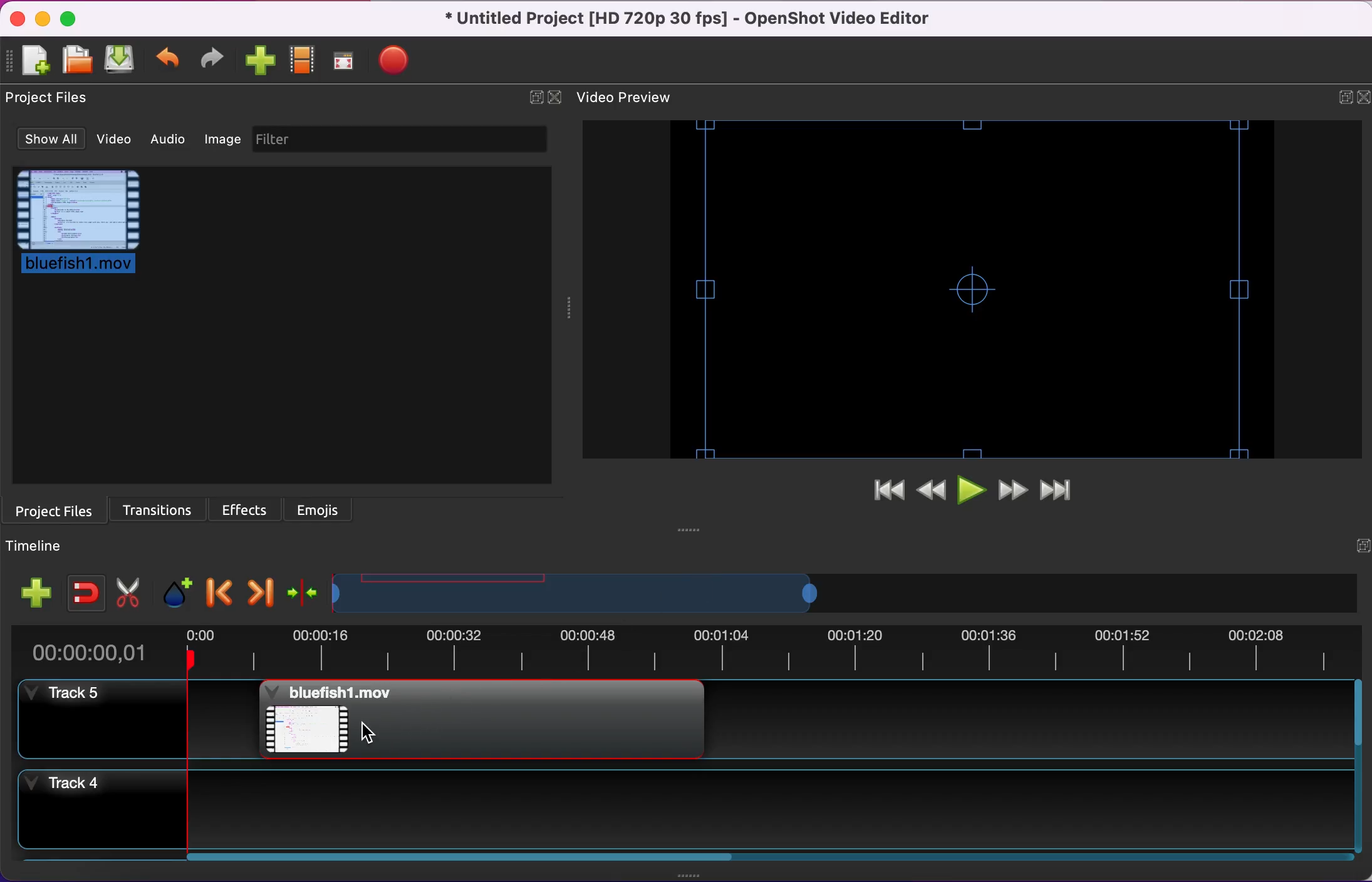 The height and width of the screenshot is (882, 1372). Describe the element at coordinates (351, 61) in the screenshot. I see `full screen` at that location.